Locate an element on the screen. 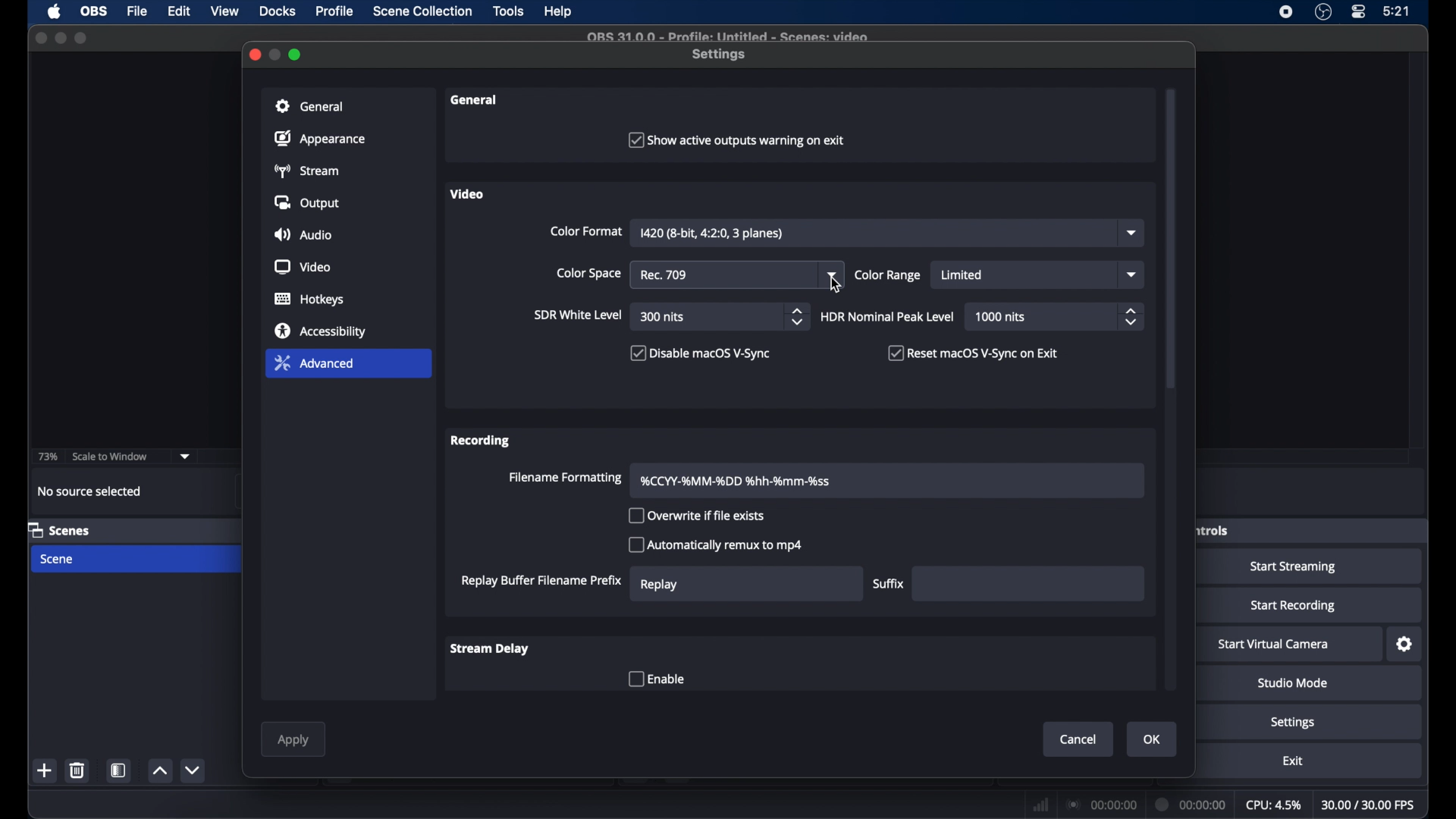 The width and height of the screenshot is (1456, 819). checkbox is located at coordinates (974, 353).